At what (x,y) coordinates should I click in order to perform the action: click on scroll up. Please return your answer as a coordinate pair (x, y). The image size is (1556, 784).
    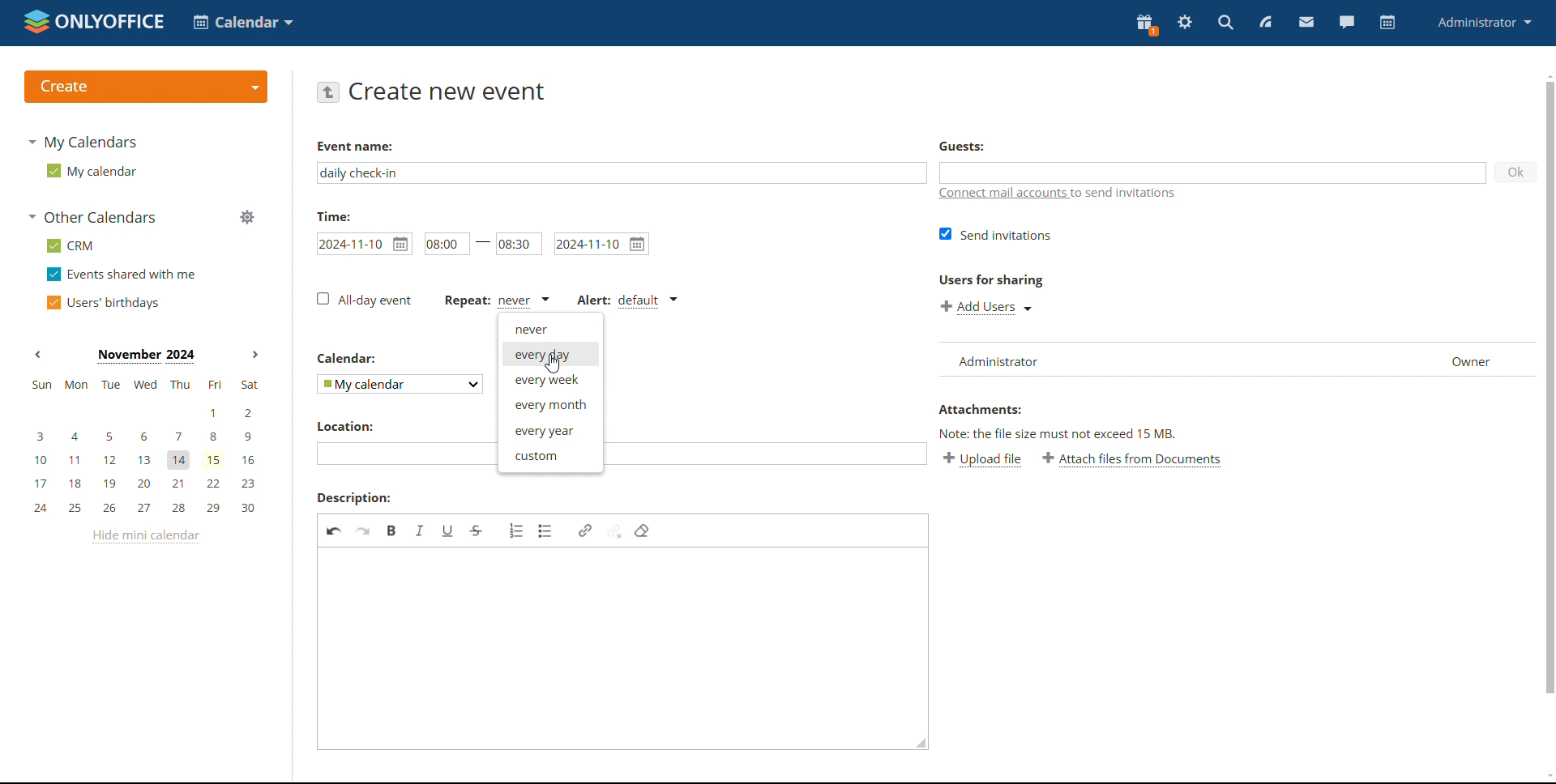
    Looking at the image, I should click on (1546, 75).